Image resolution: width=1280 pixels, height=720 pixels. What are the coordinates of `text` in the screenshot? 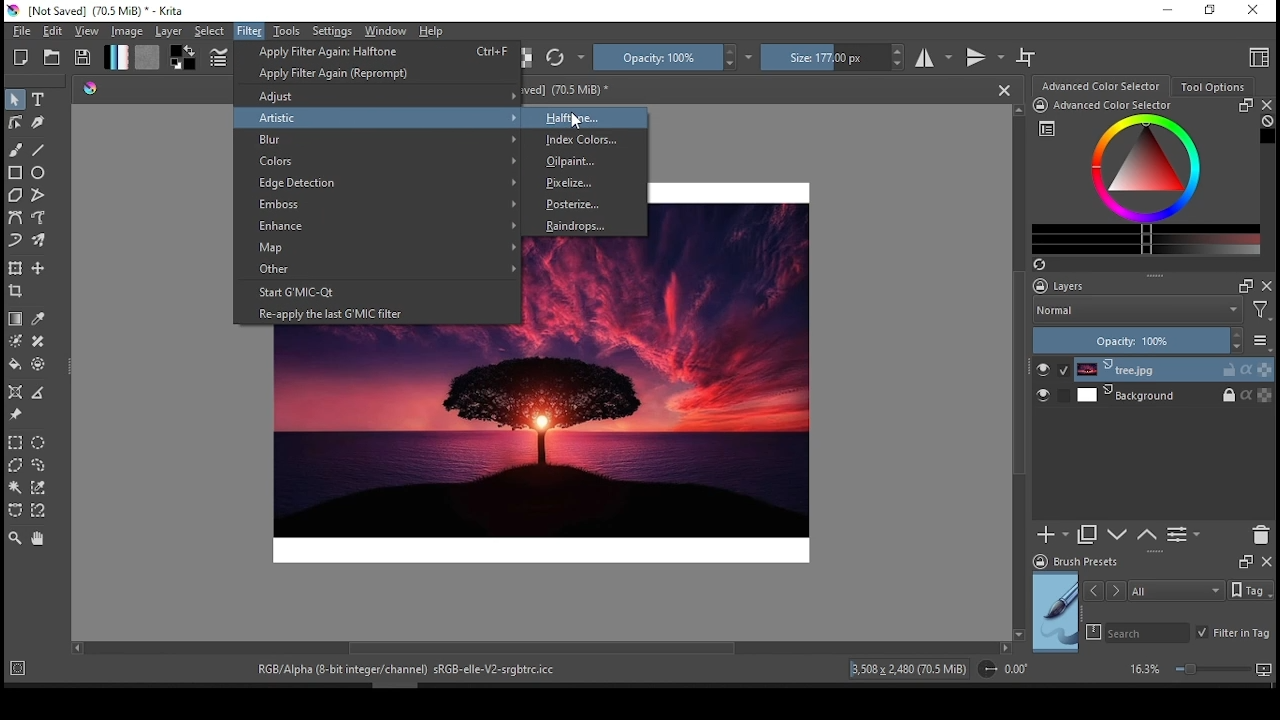 It's located at (415, 672).